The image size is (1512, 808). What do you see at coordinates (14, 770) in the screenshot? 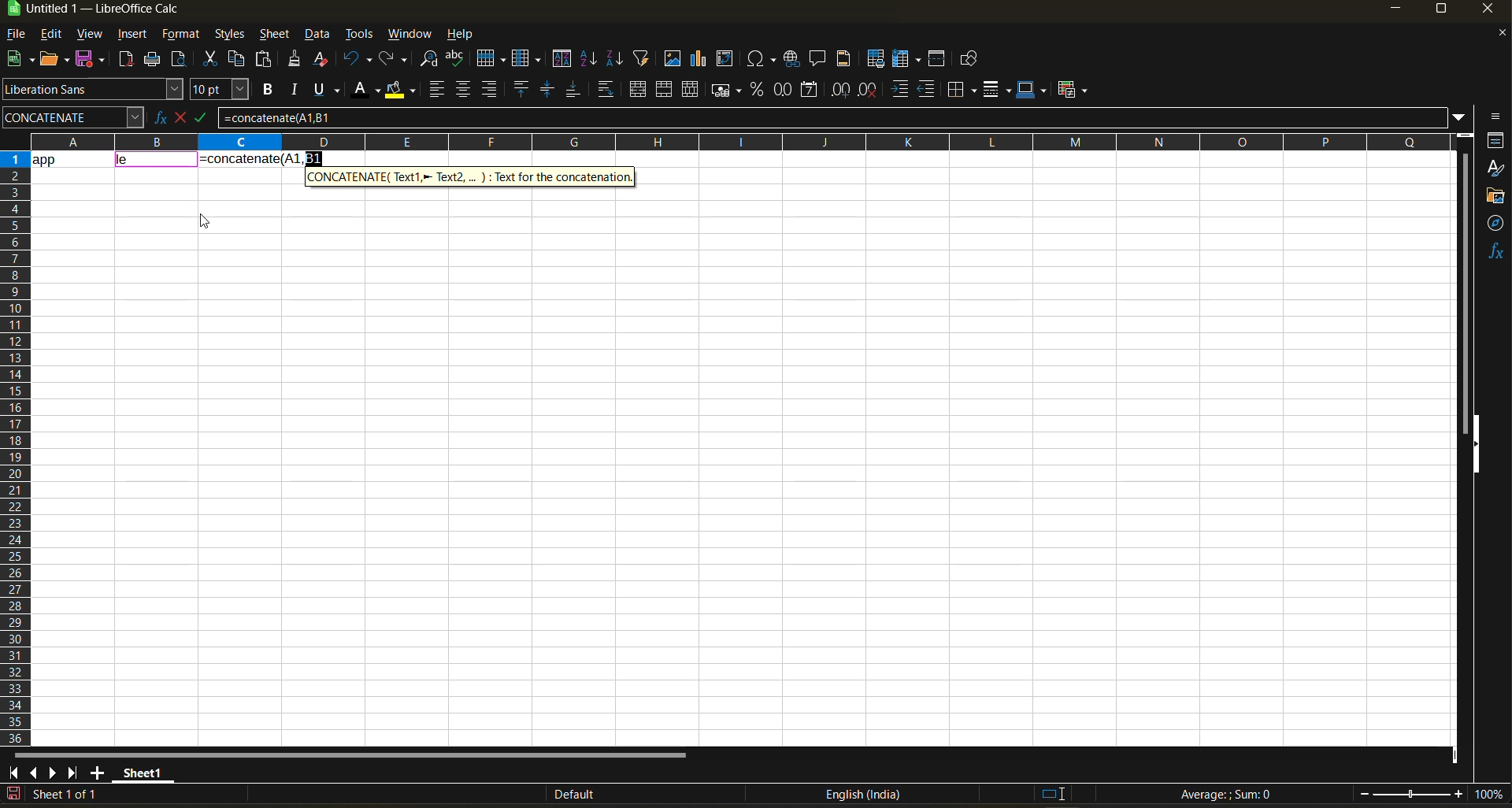
I see `scroll to first sheet` at bounding box center [14, 770].